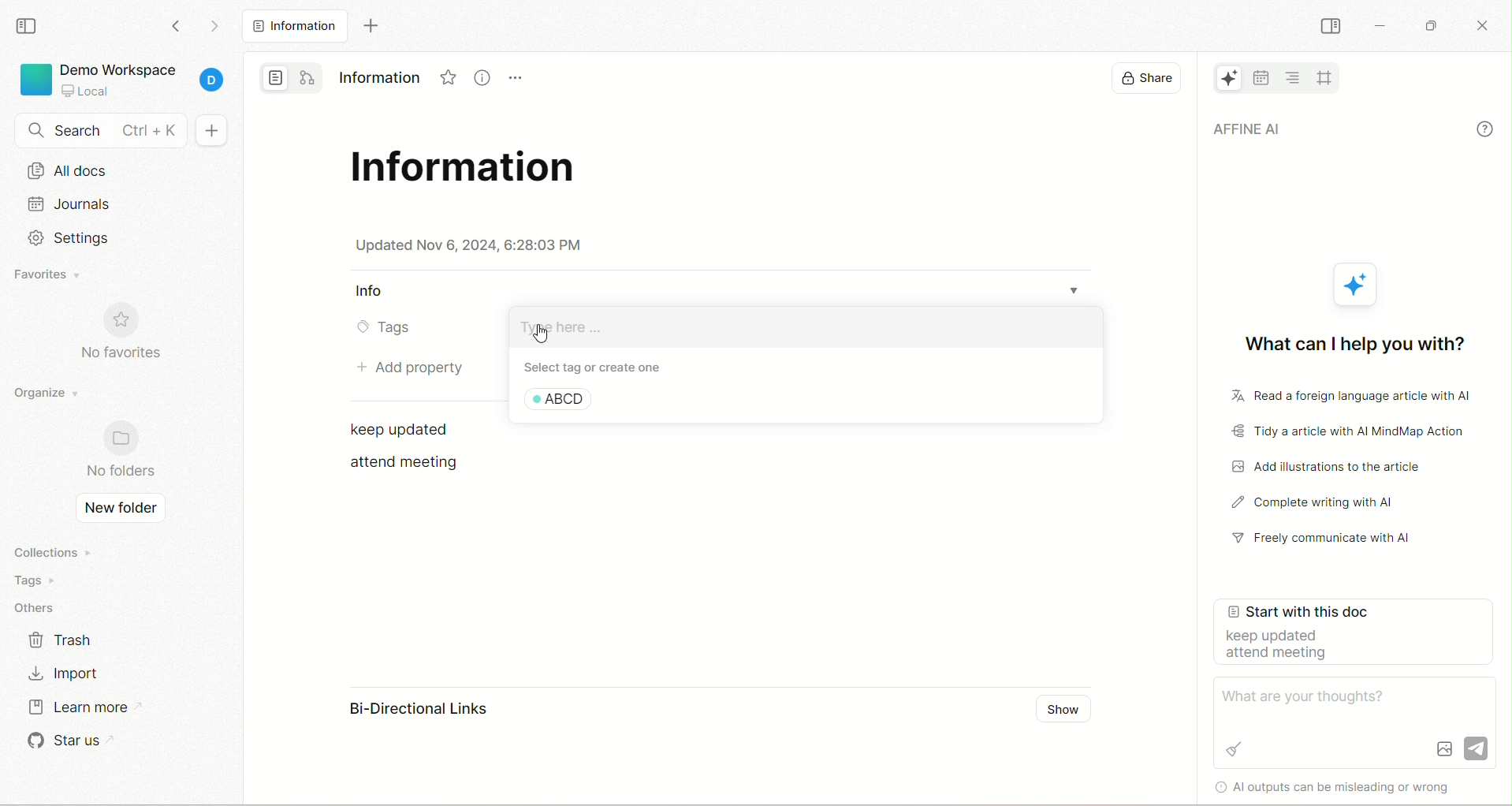  I want to click on no favorites, so click(125, 333).